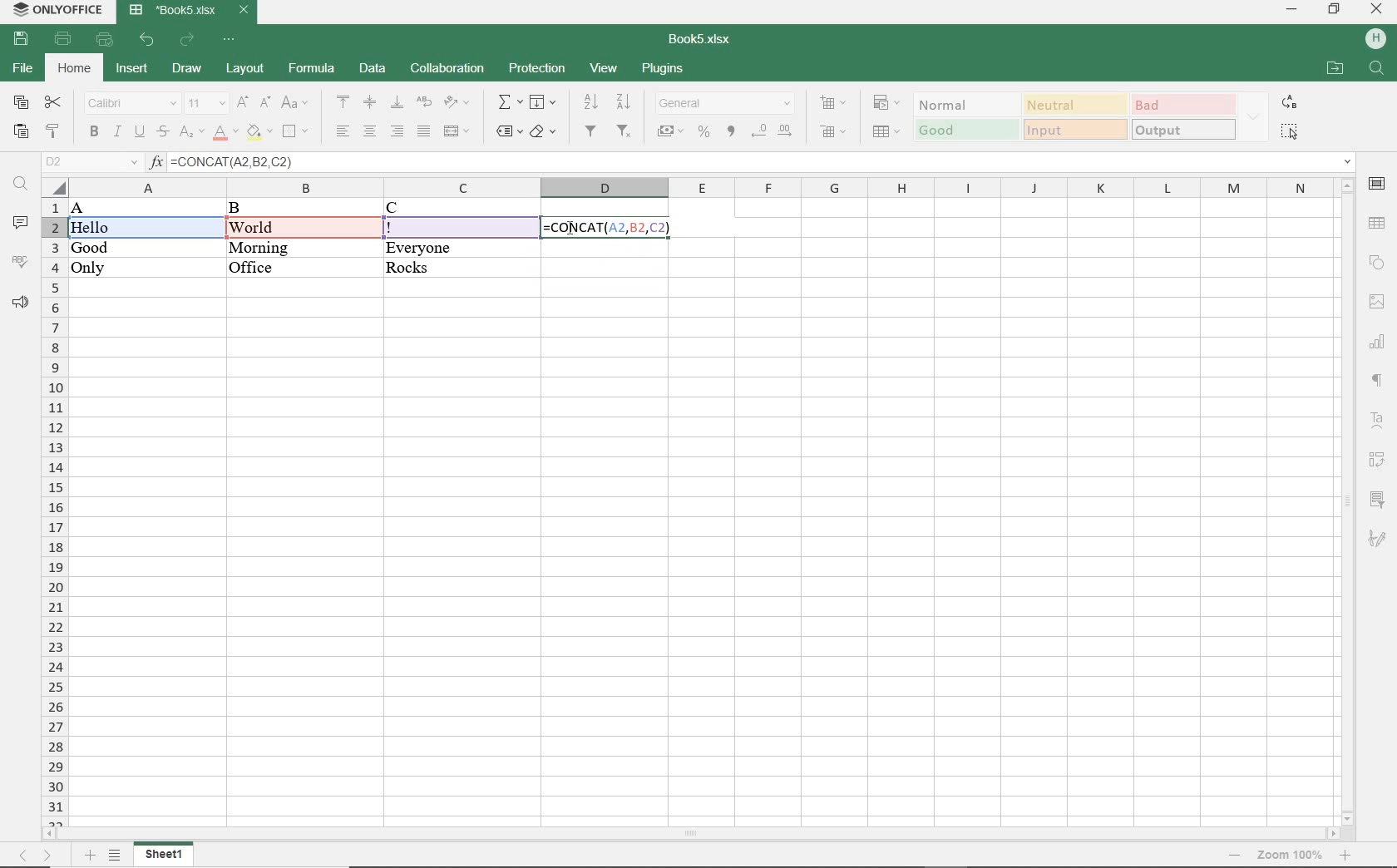 The image size is (1397, 868). Describe the element at coordinates (533, 67) in the screenshot. I see `PROTECTION` at that location.